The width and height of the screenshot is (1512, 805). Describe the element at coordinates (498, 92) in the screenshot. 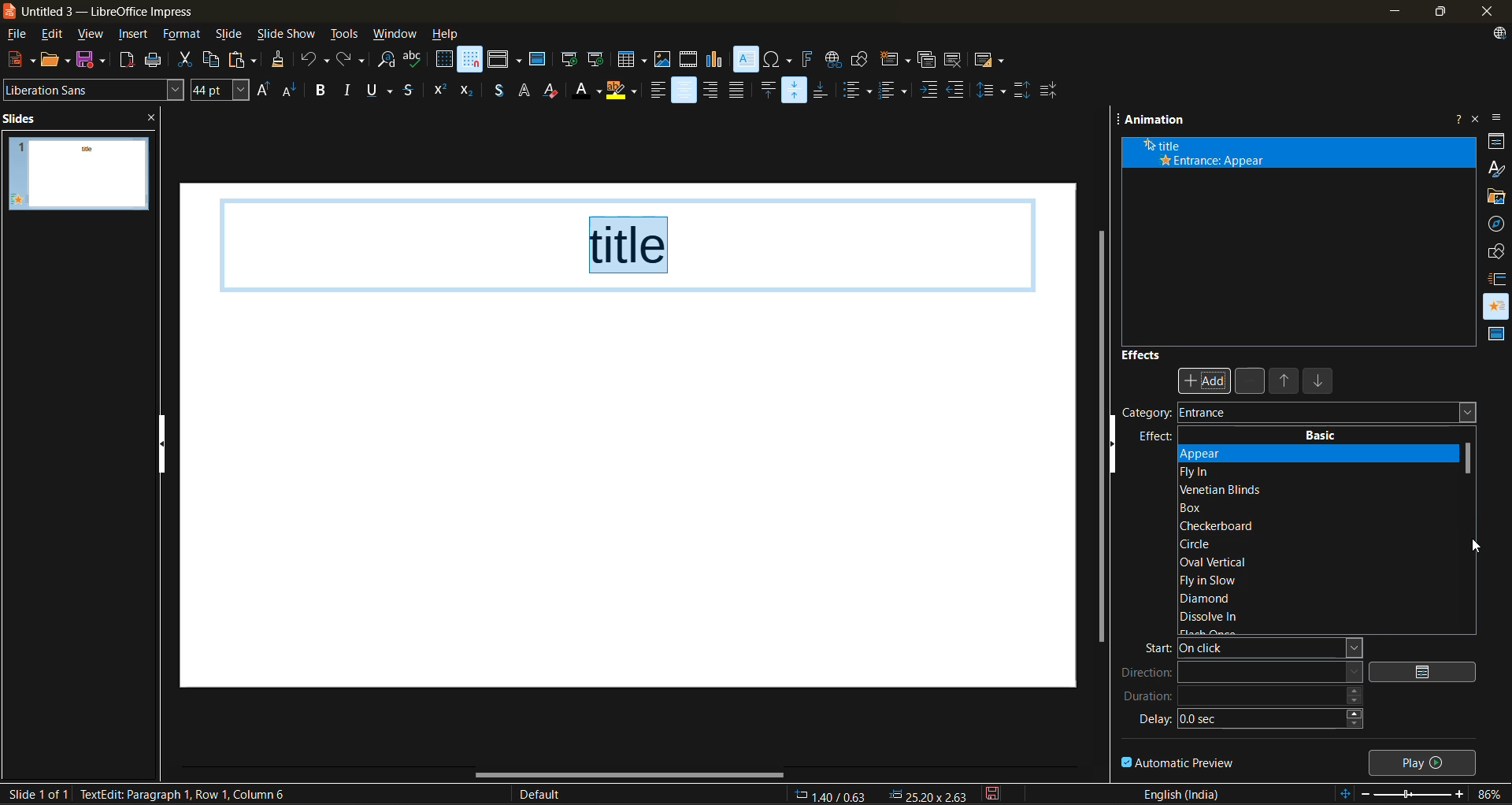

I see `toggle shadow` at that location.